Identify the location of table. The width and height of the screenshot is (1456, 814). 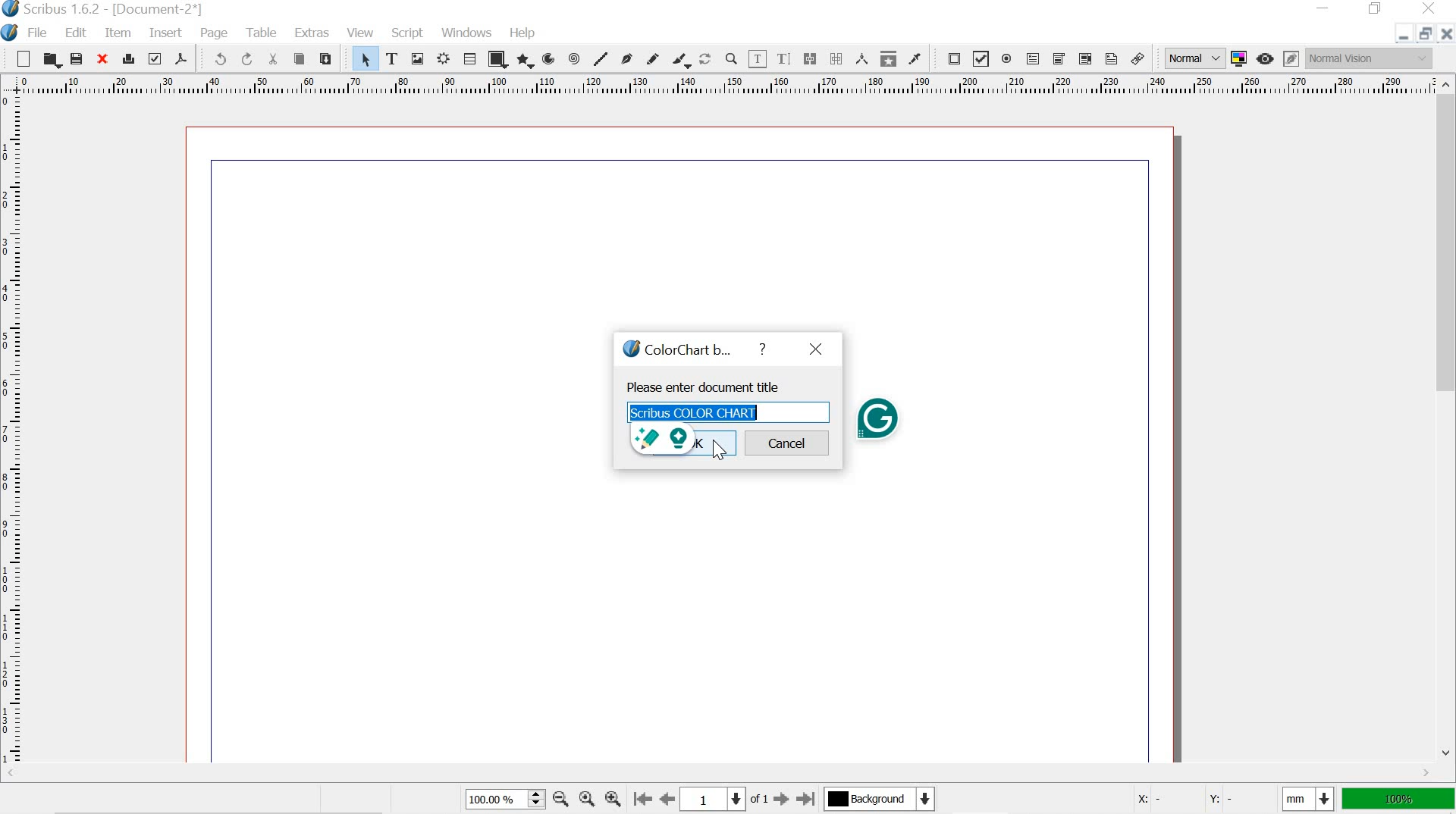
(265, 33).